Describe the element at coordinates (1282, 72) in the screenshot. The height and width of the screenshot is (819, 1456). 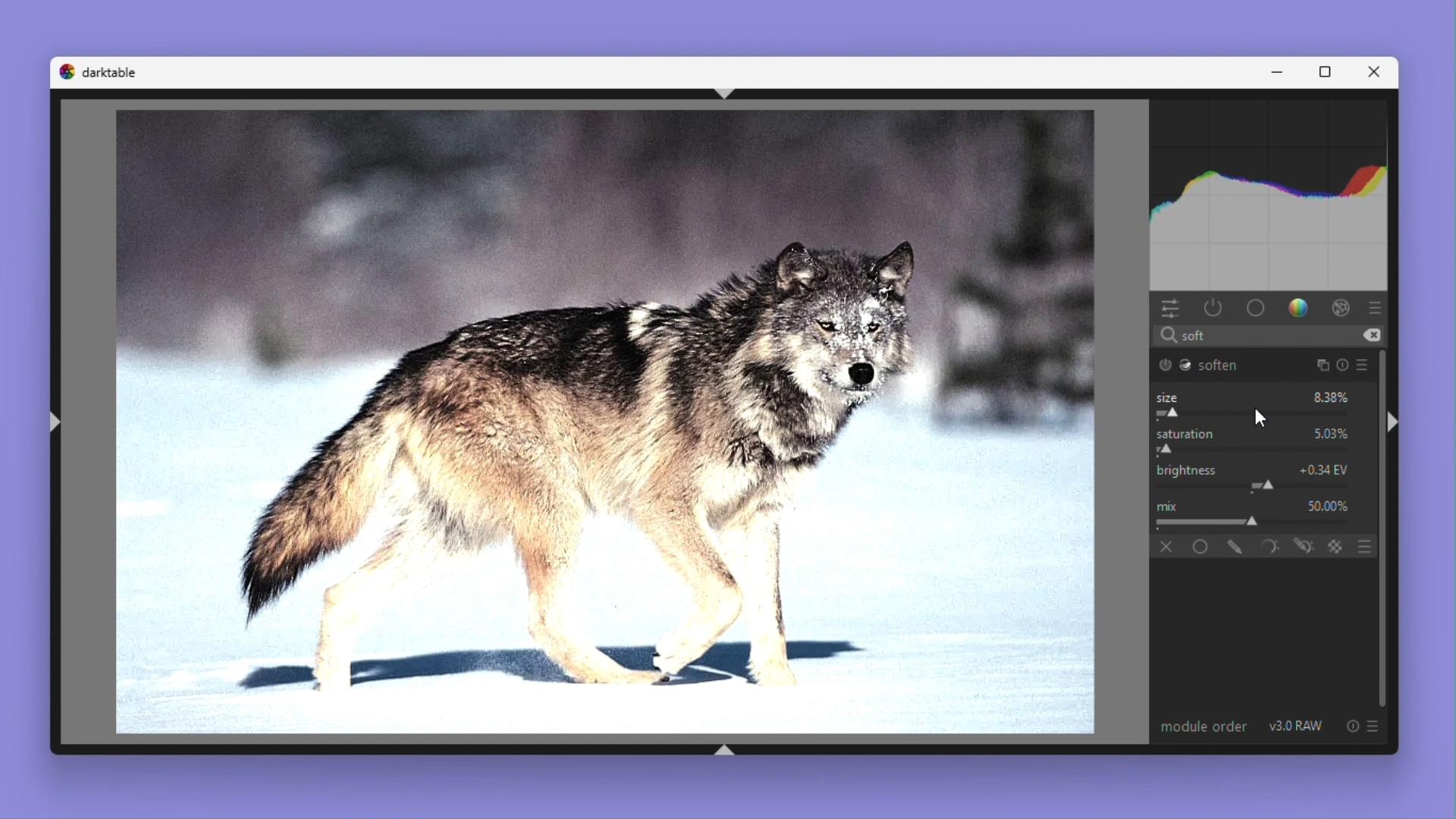
I see `Minimise` at that location.